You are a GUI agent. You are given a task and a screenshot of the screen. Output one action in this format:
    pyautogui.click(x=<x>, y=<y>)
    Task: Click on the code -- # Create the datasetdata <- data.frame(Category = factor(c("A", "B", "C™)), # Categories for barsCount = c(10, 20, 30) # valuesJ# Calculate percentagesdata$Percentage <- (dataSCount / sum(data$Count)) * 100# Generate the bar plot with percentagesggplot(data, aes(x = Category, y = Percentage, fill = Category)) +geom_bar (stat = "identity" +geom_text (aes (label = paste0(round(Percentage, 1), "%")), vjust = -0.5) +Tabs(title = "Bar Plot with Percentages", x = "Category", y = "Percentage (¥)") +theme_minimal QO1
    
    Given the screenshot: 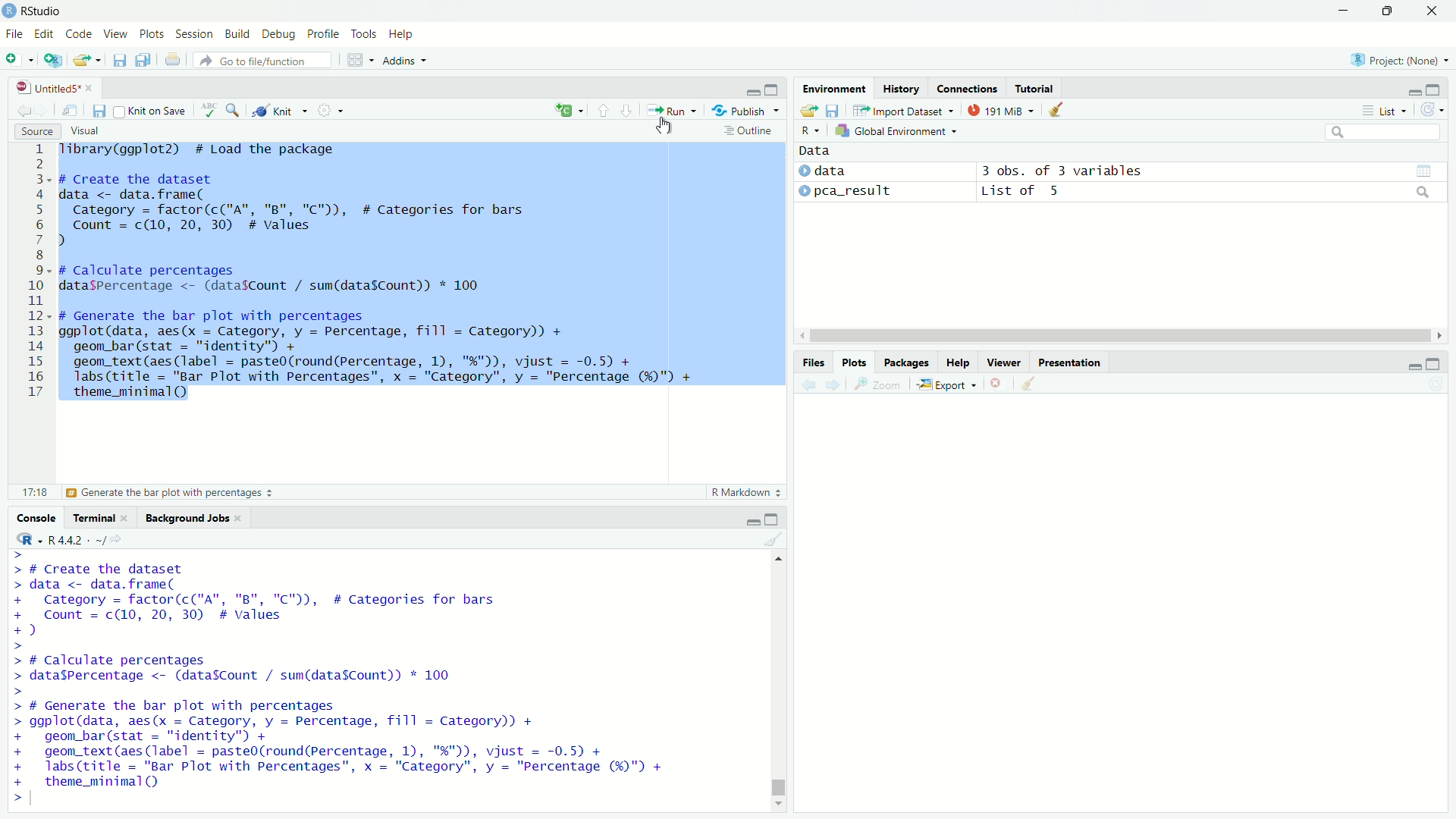 What is the action you would take?
    pyautogui.click(x=355, y=679)
    